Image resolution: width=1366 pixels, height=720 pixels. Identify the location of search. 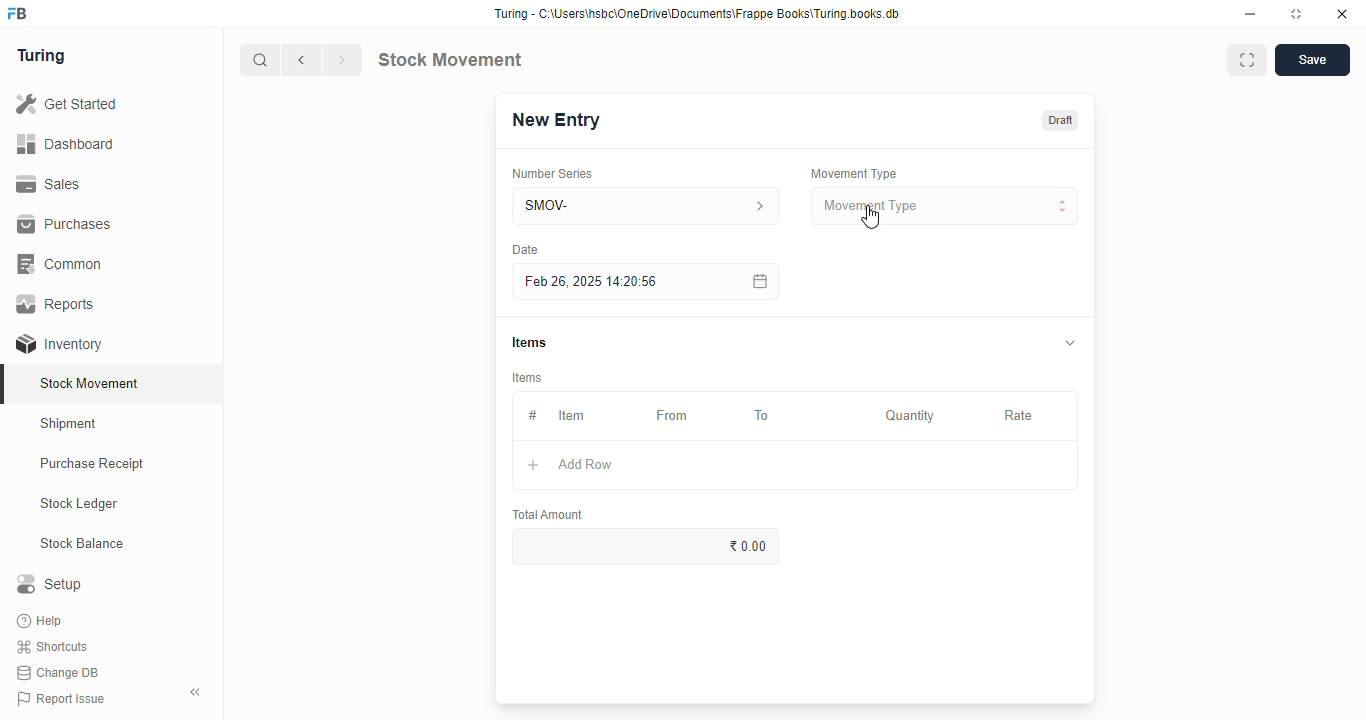
(261, 60).